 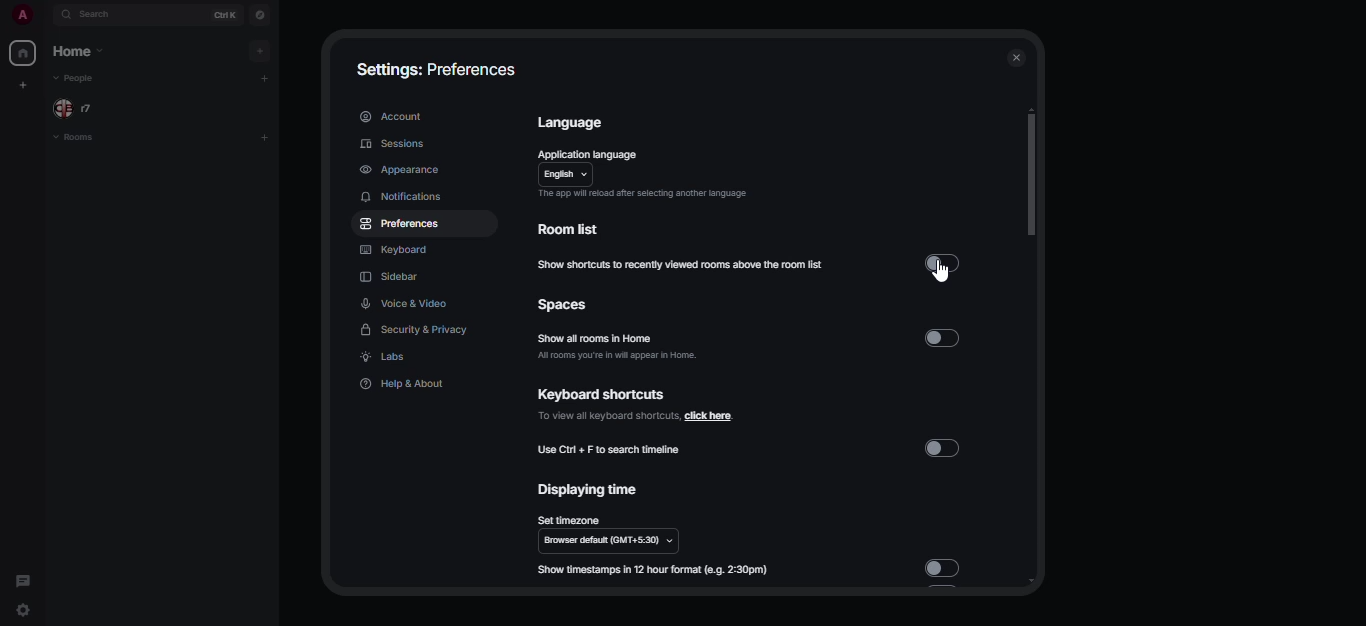 I want to click on notifications, so click(x=396, y=197).